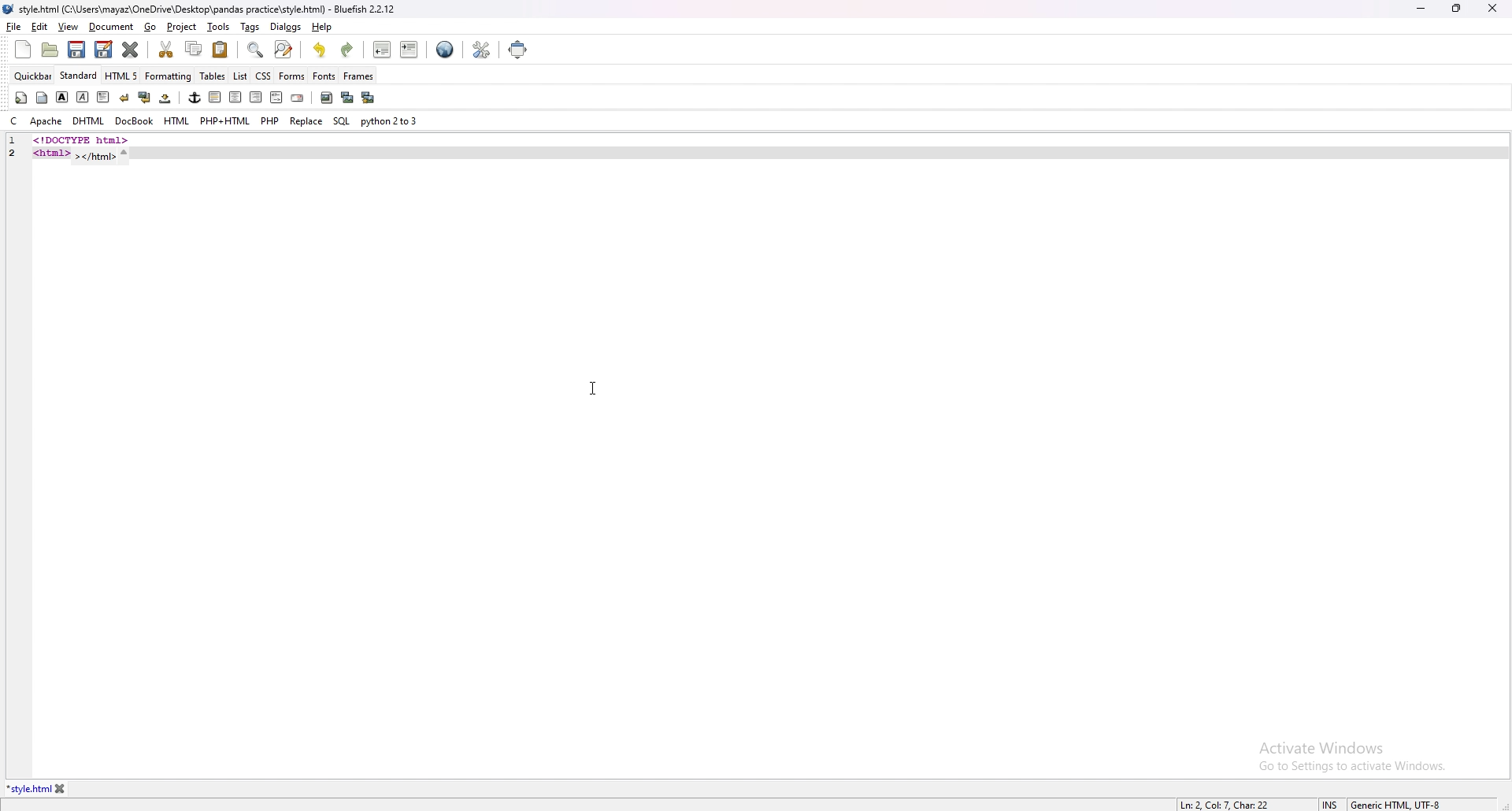 The height and width of the screenshot is (811, 1512). What do you see at coordinates (326, 98) in the screenshot?
I see `insert image` at bounding box center [326, 98].